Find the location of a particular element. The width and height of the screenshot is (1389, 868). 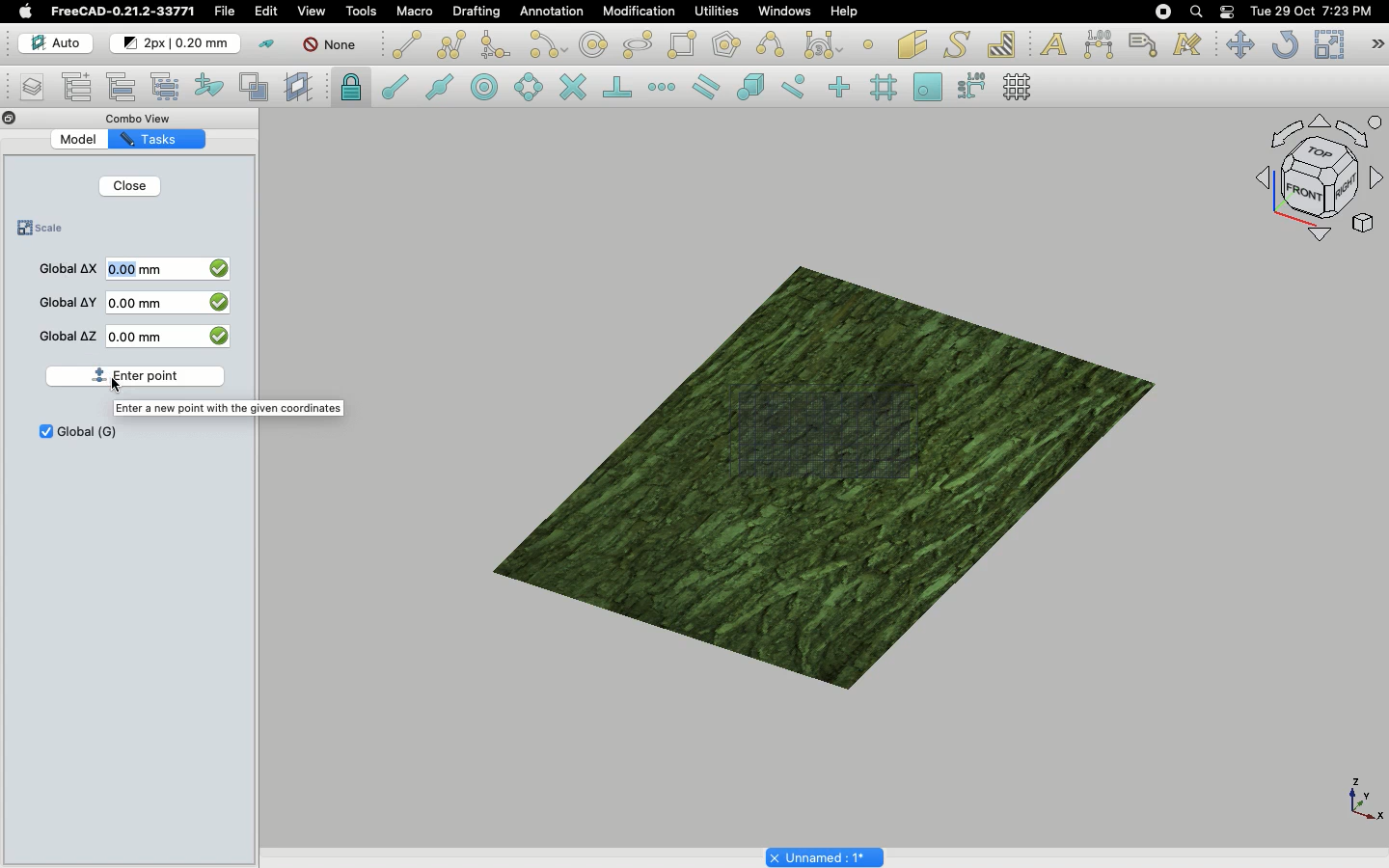

Close is located at coordinates (133, 187).